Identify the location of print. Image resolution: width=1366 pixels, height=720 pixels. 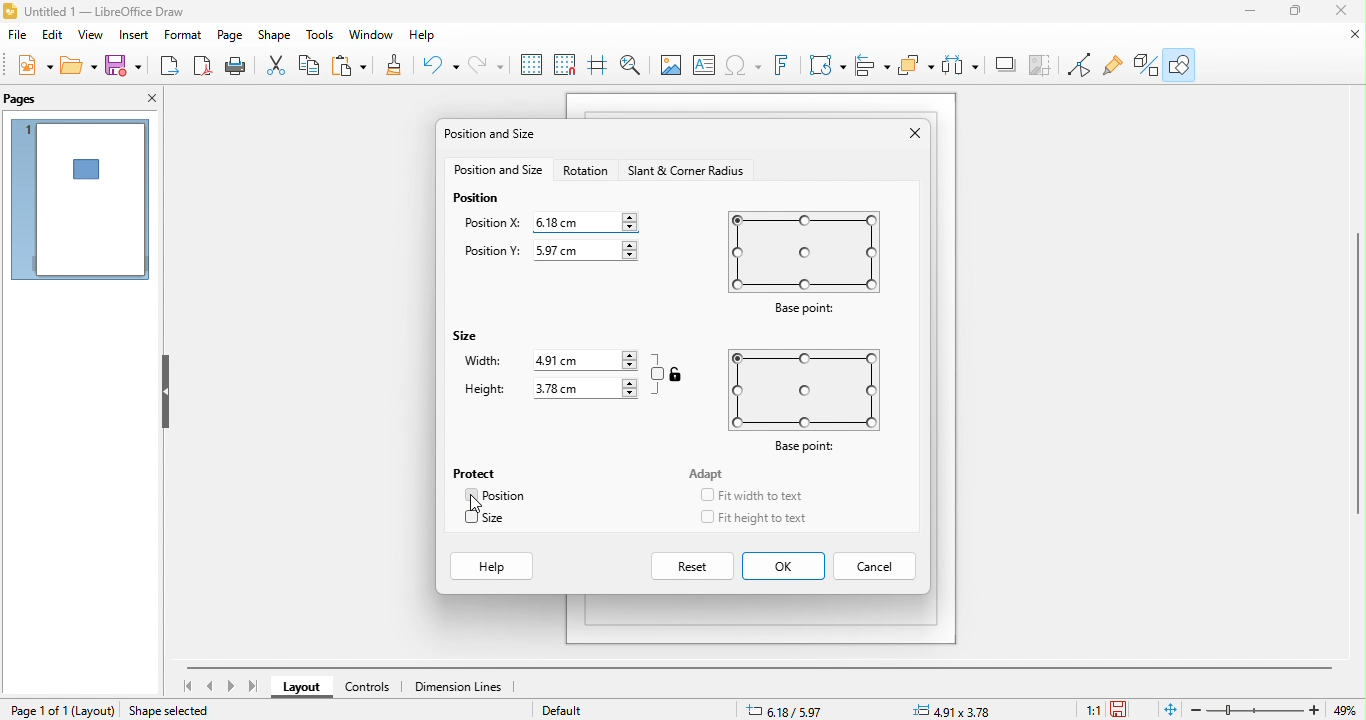
(235, 66).